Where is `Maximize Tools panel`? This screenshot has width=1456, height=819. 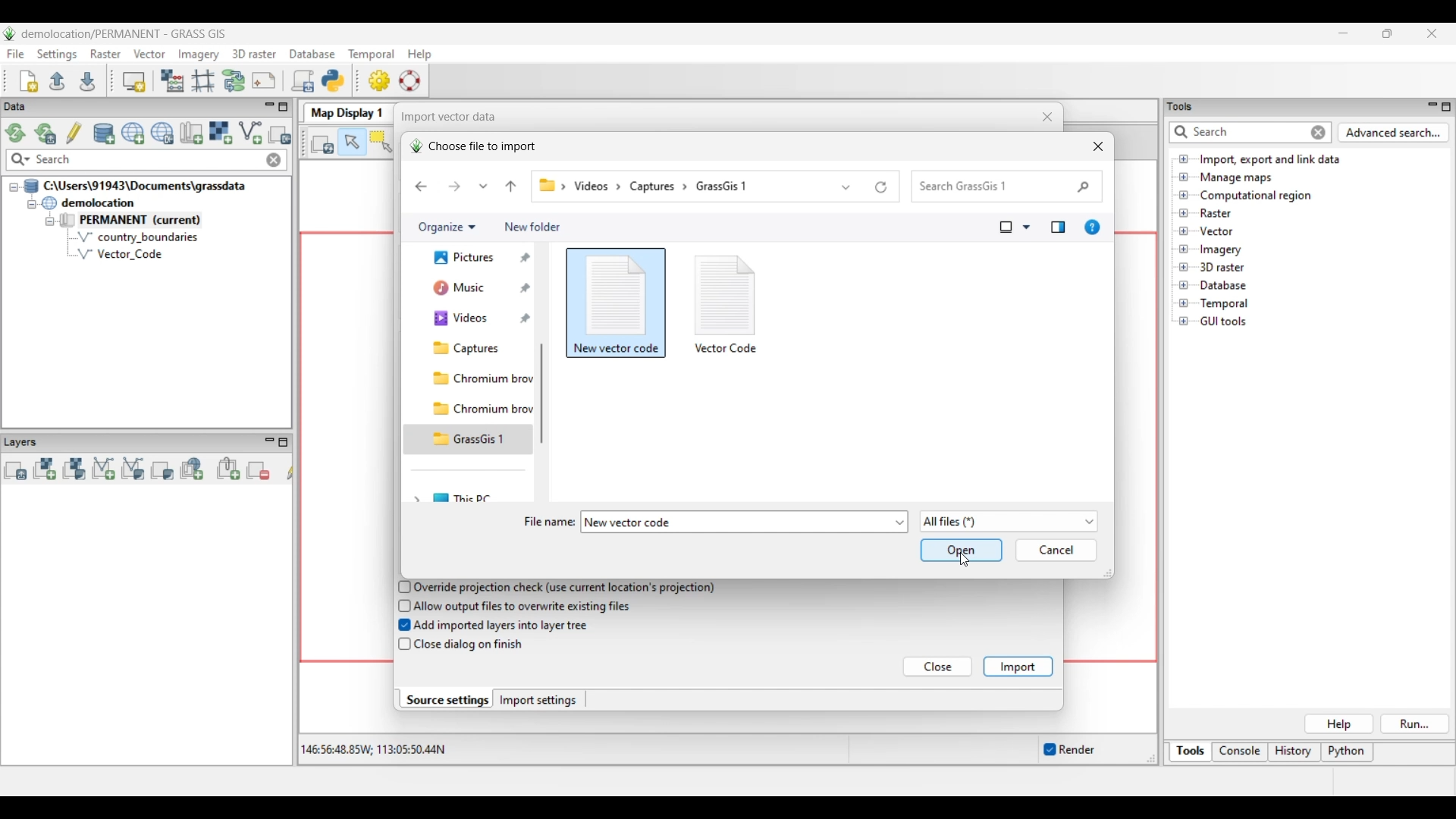
Maximize Tools panel is located at coordinates (1446, 107).